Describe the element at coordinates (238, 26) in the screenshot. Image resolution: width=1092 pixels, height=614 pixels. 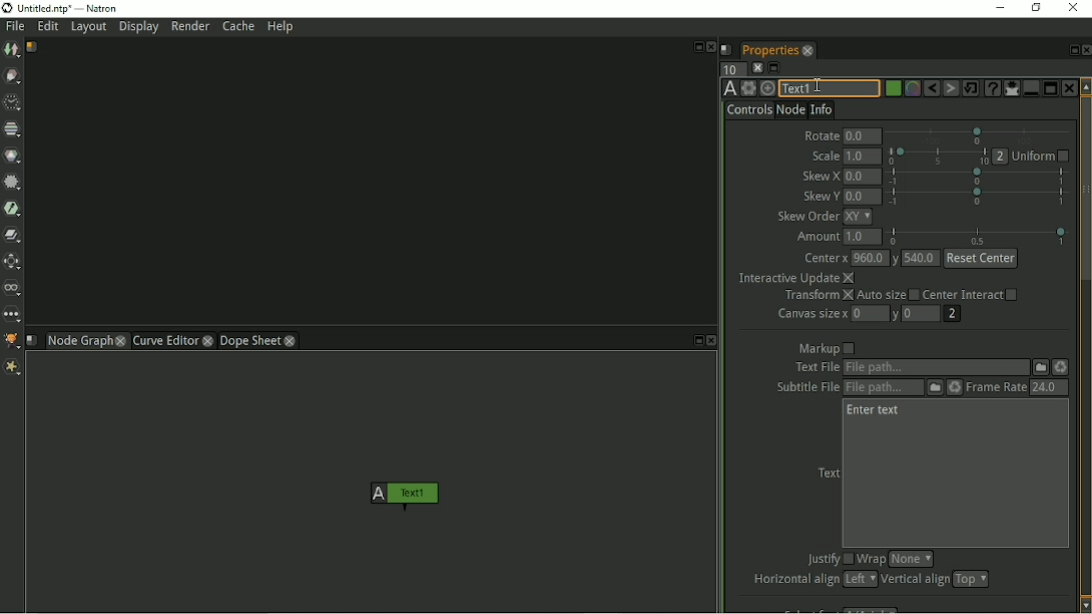
I see `Cache` at that location.